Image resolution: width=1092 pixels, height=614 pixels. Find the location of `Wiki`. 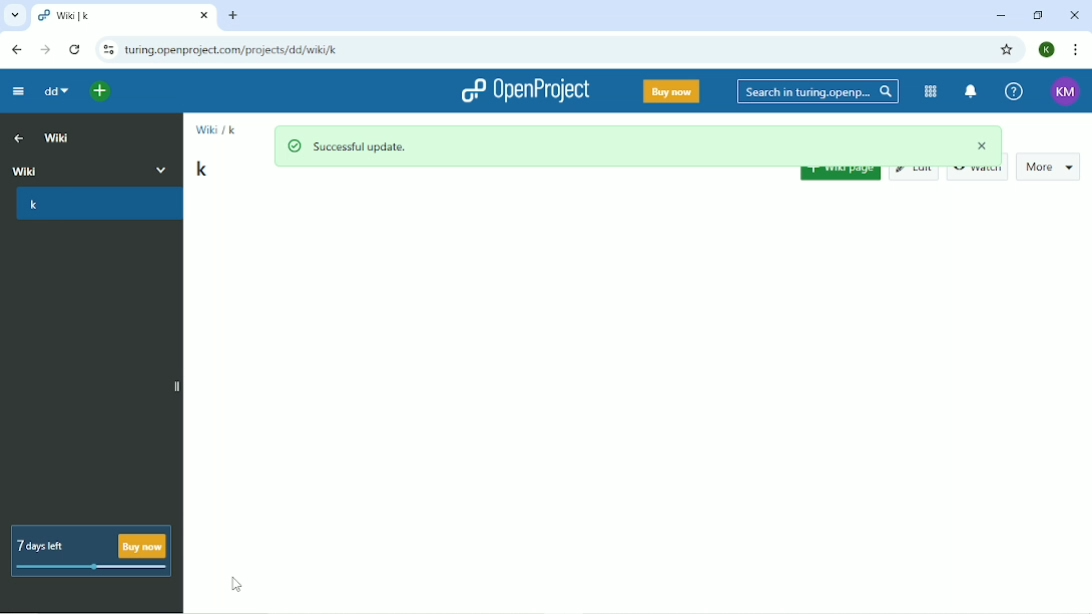

Wiki is located at coordinates (58, 137).